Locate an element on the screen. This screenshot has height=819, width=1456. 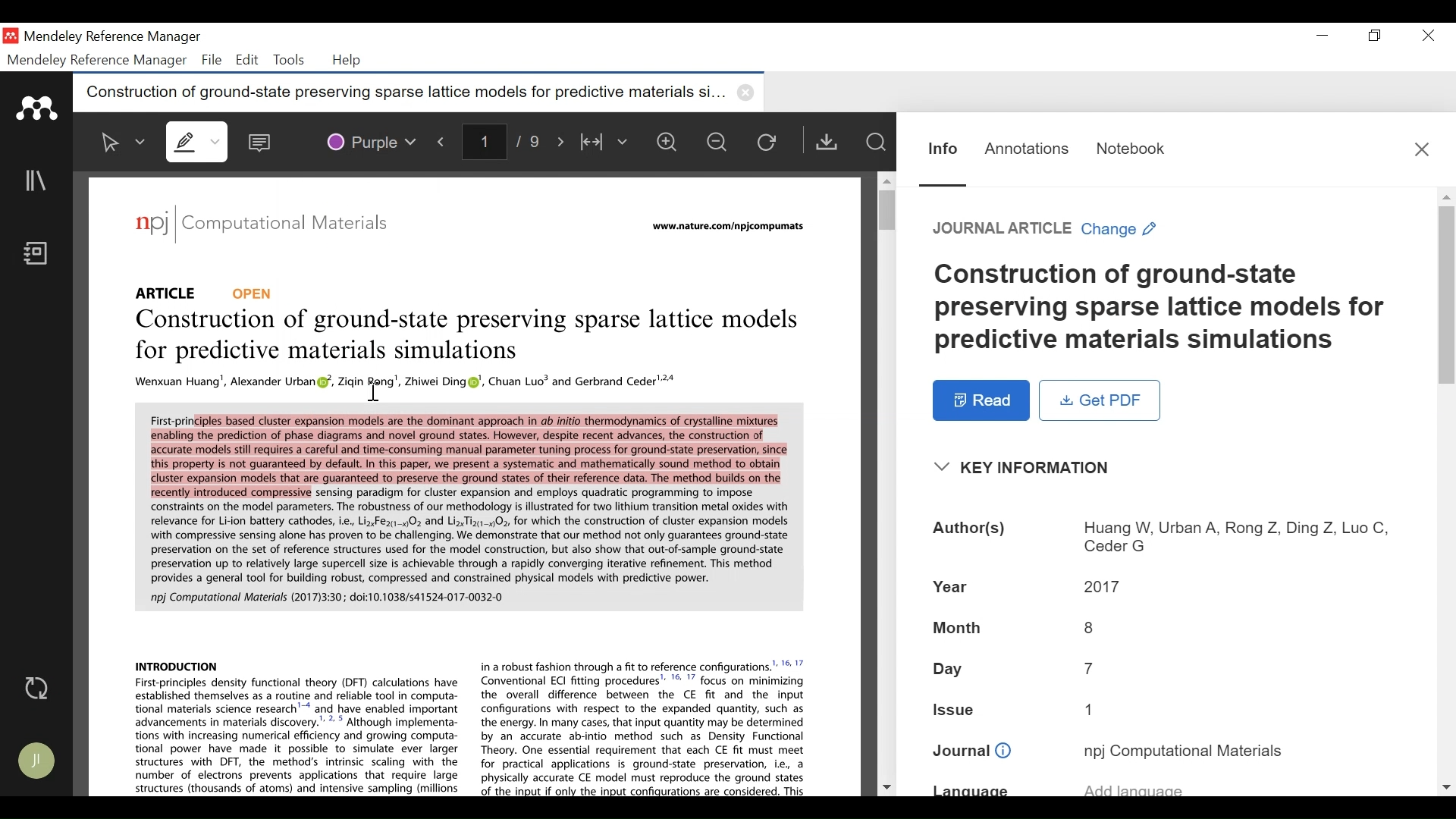
1/9 is located at coordinates (503, 143).